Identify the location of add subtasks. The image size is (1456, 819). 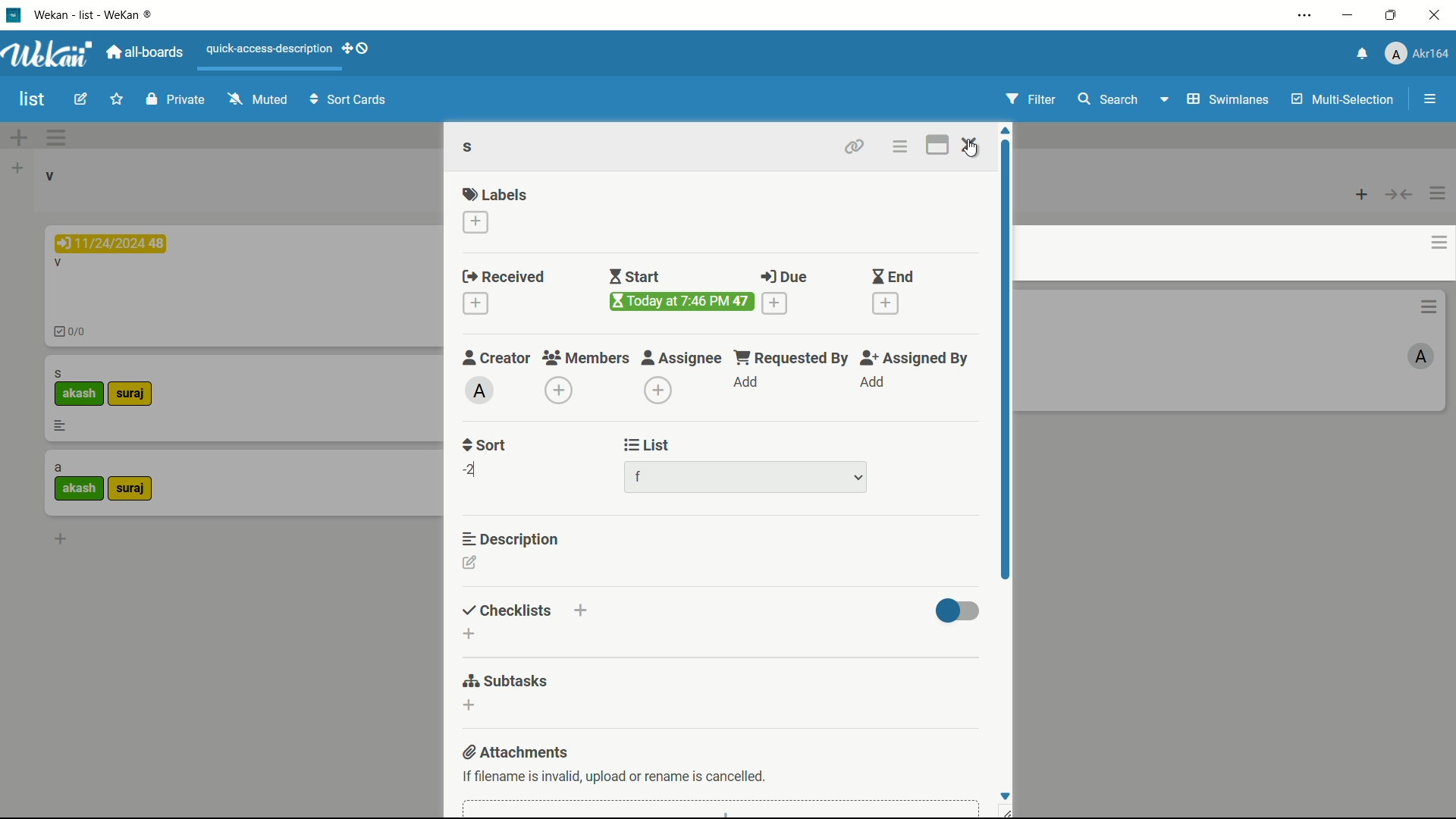
(468, 704).